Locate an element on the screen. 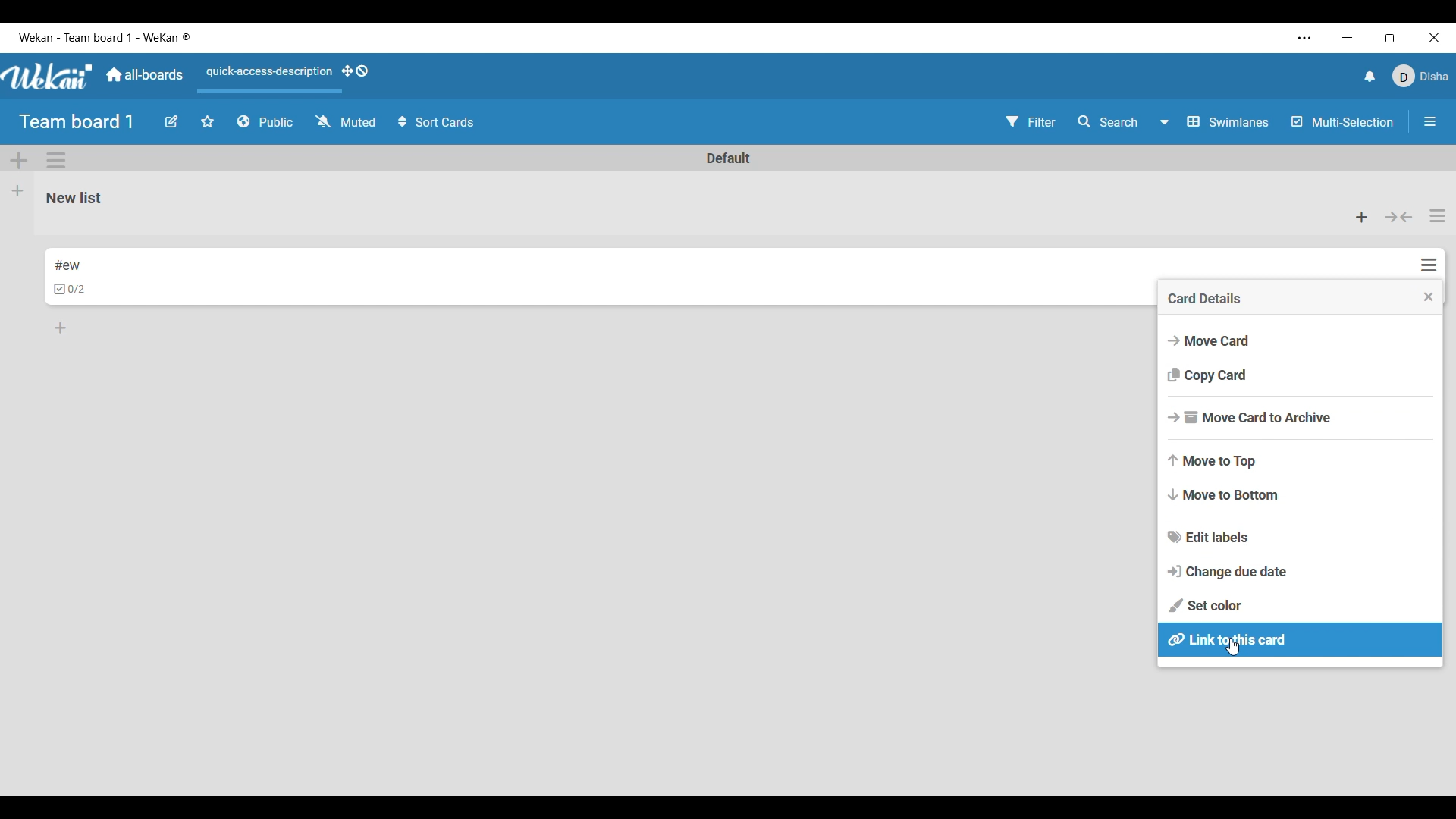  Add list is located at coordinates (18, 191).